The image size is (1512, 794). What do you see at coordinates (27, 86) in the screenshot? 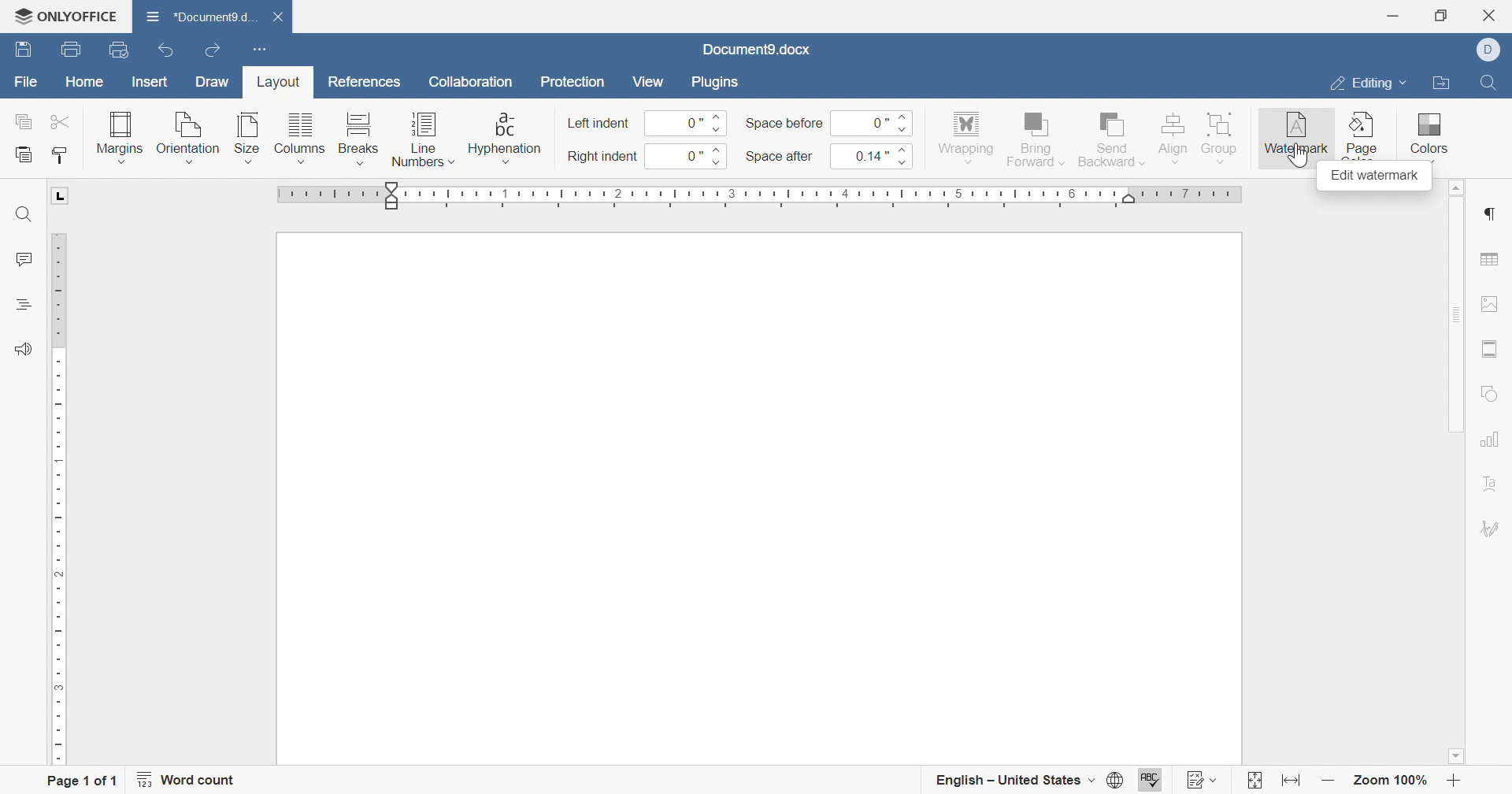
I see `file` at bounding box center [27, 86].